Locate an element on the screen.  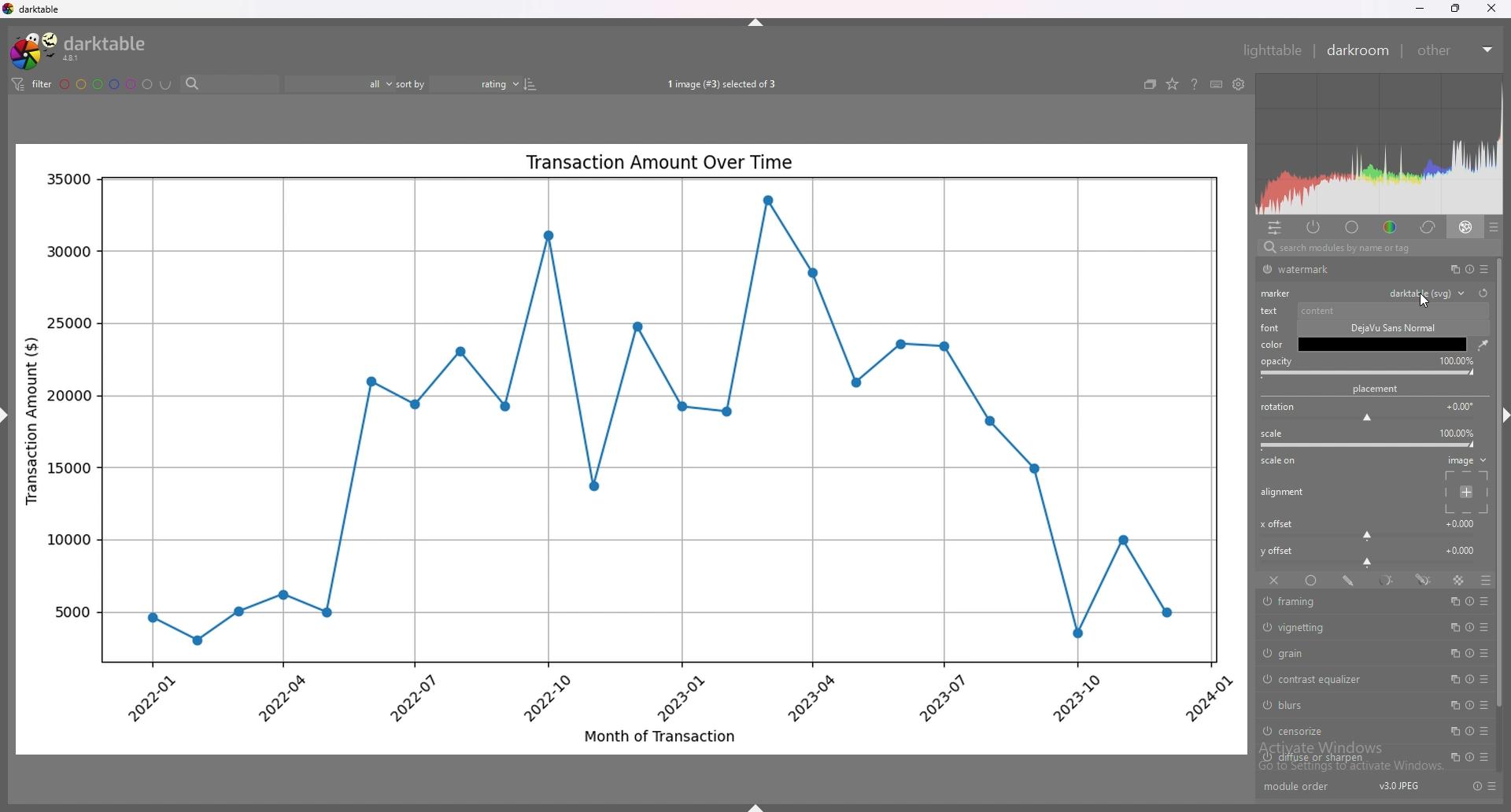
off is located at coordinates (1273, 581).